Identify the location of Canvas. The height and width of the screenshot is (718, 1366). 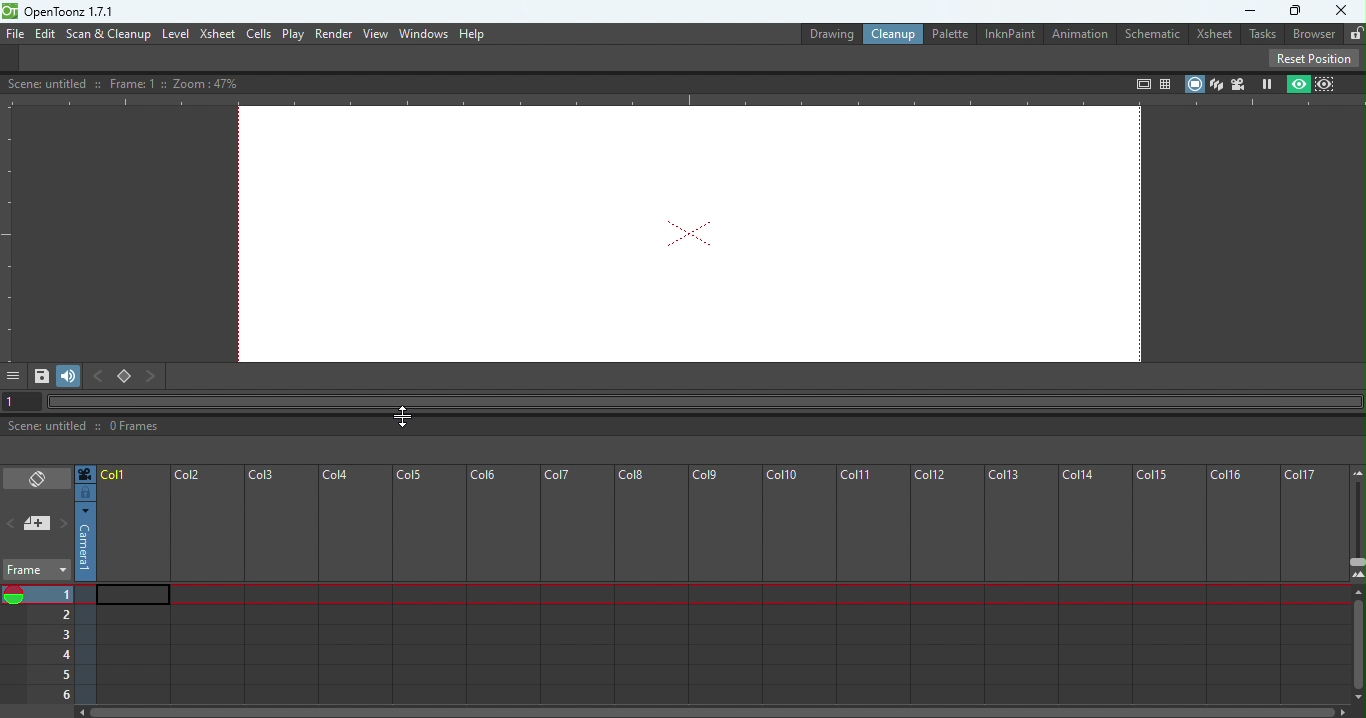
(692, 236).